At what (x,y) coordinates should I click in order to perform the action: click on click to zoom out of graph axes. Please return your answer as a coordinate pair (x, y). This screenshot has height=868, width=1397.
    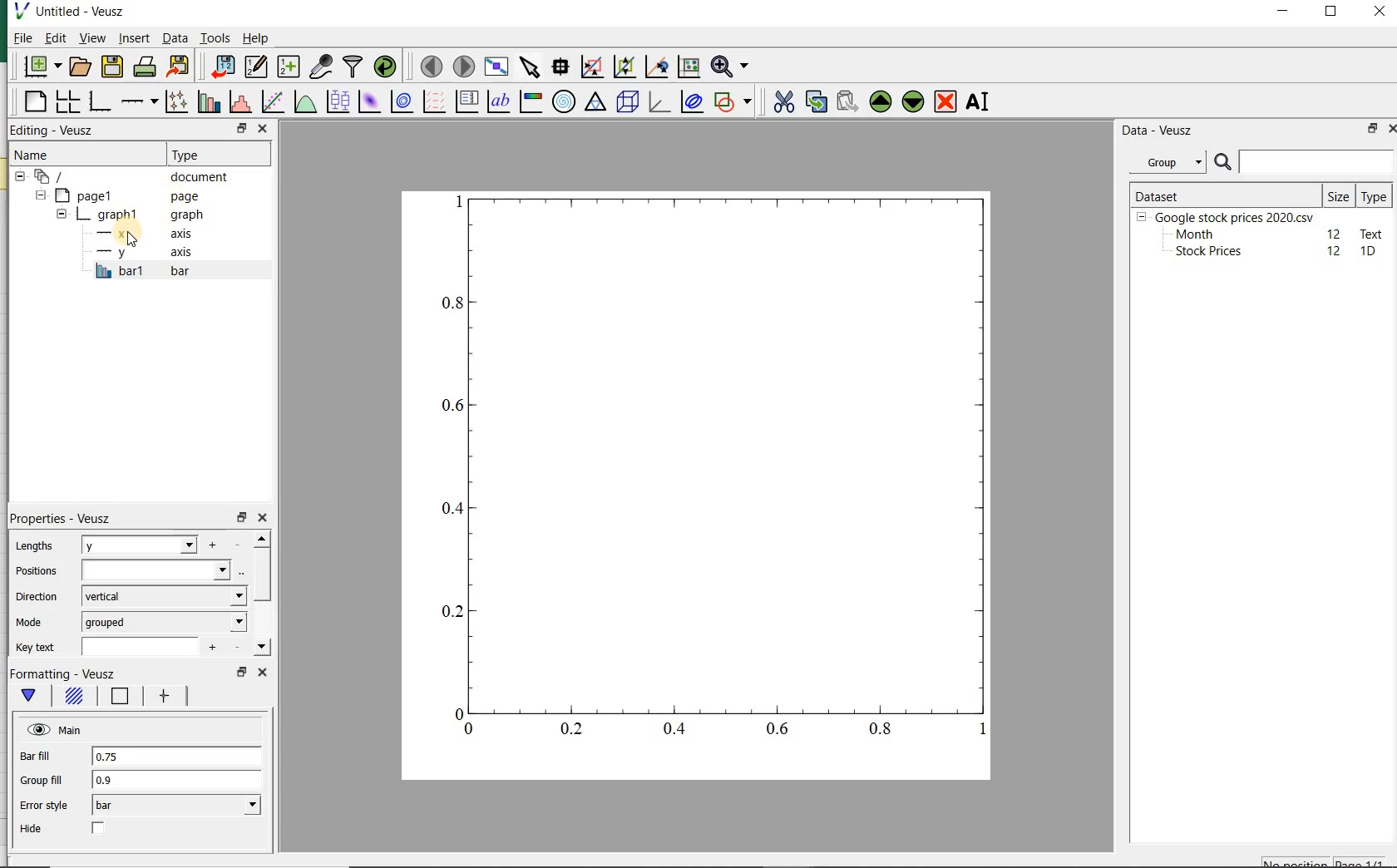
    Looking at the image, I should click on (623, 65).